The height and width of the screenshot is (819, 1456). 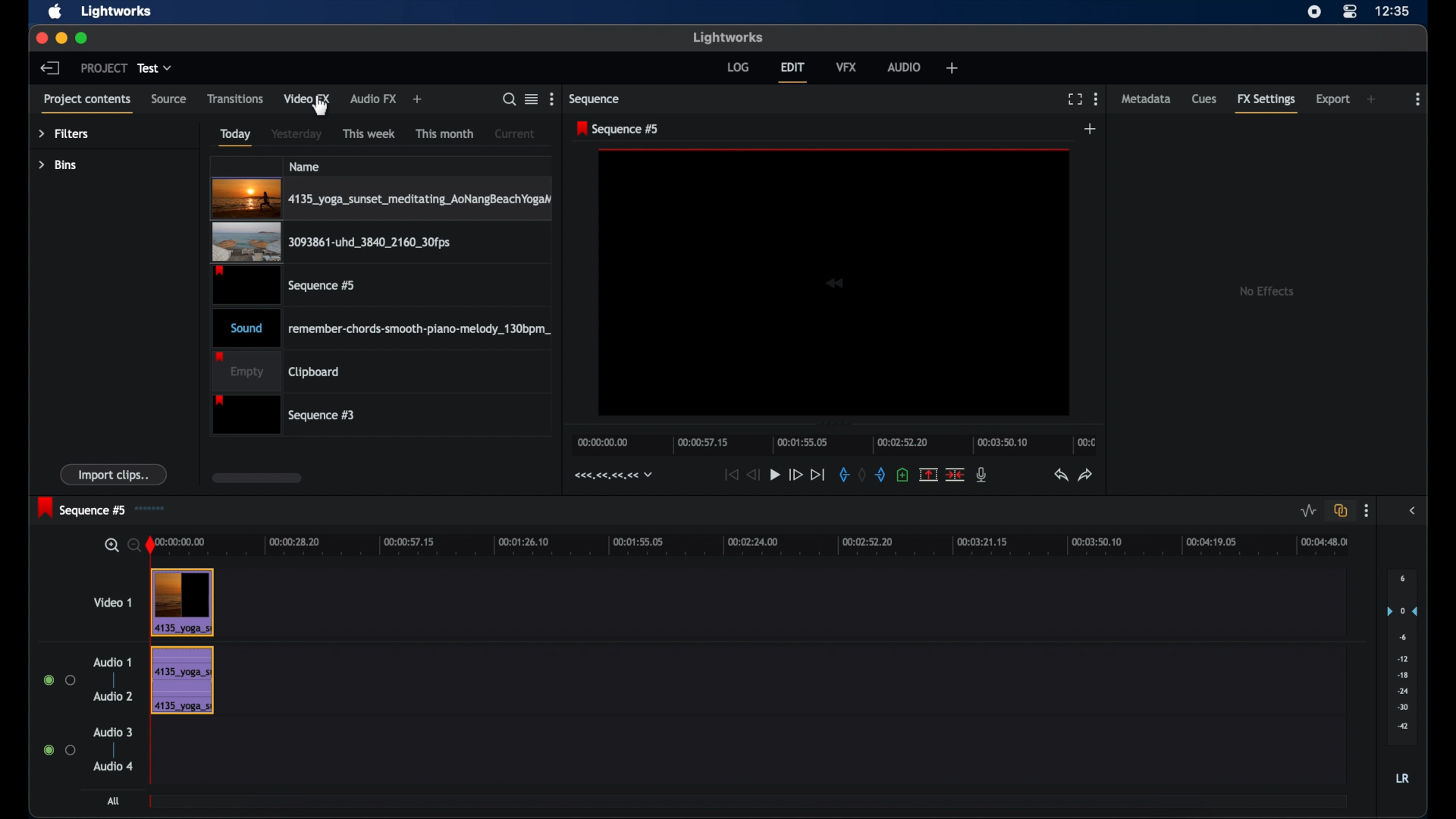 What do you see at coordinates (320, 106) in the screenshot?
I see `cursor` at bounding box center [320, 106].